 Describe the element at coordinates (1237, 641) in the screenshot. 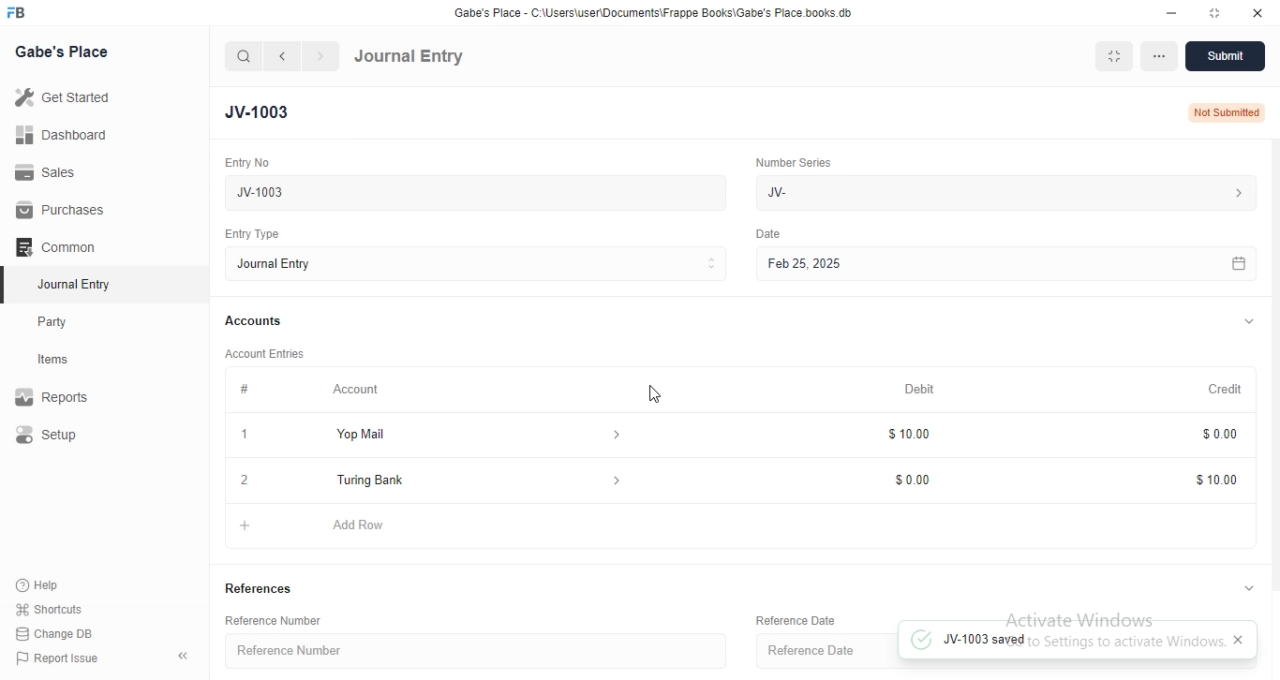

I see `CLOSE` at that location.